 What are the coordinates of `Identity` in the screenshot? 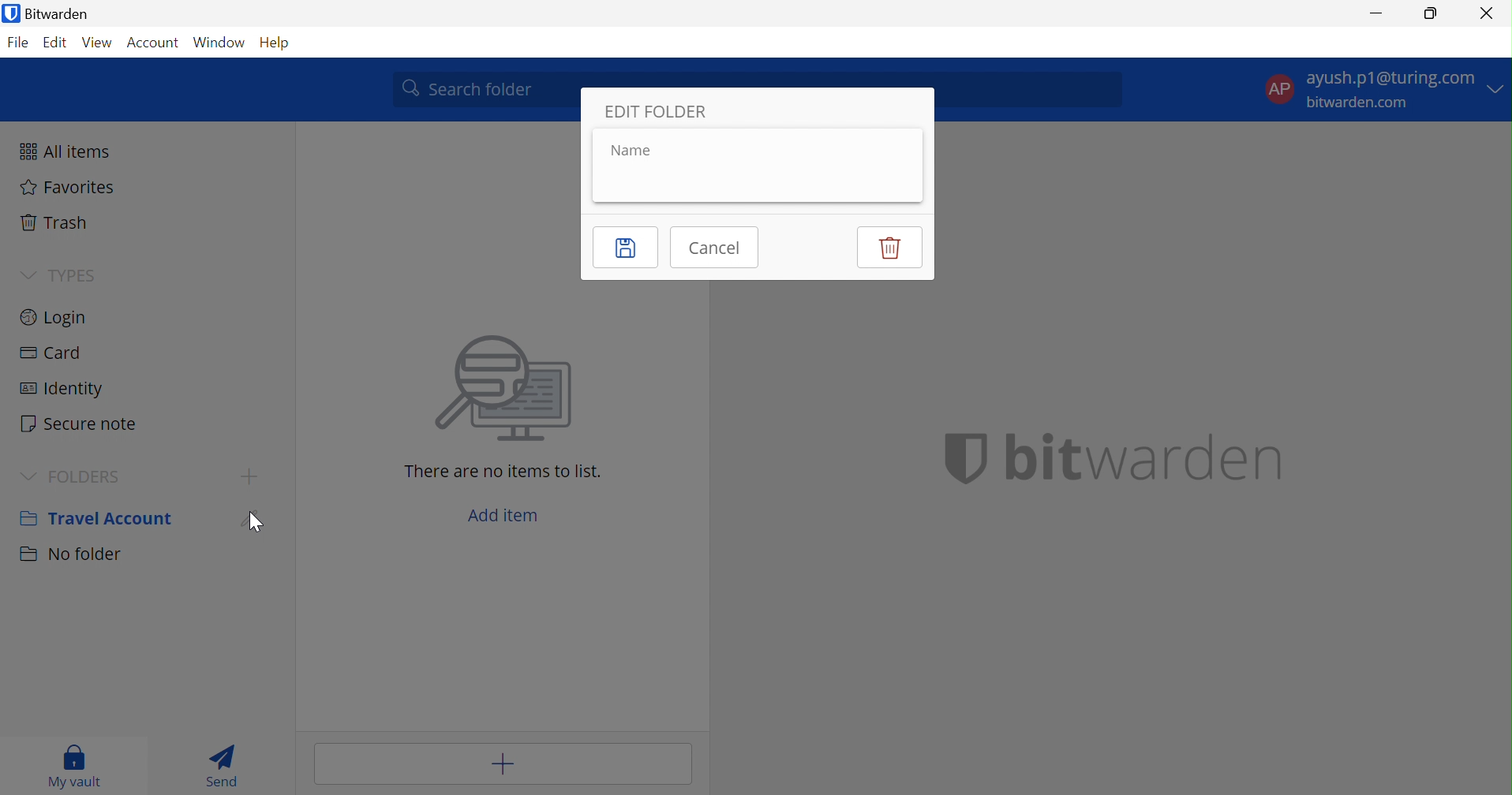 It's located at (65, 388).